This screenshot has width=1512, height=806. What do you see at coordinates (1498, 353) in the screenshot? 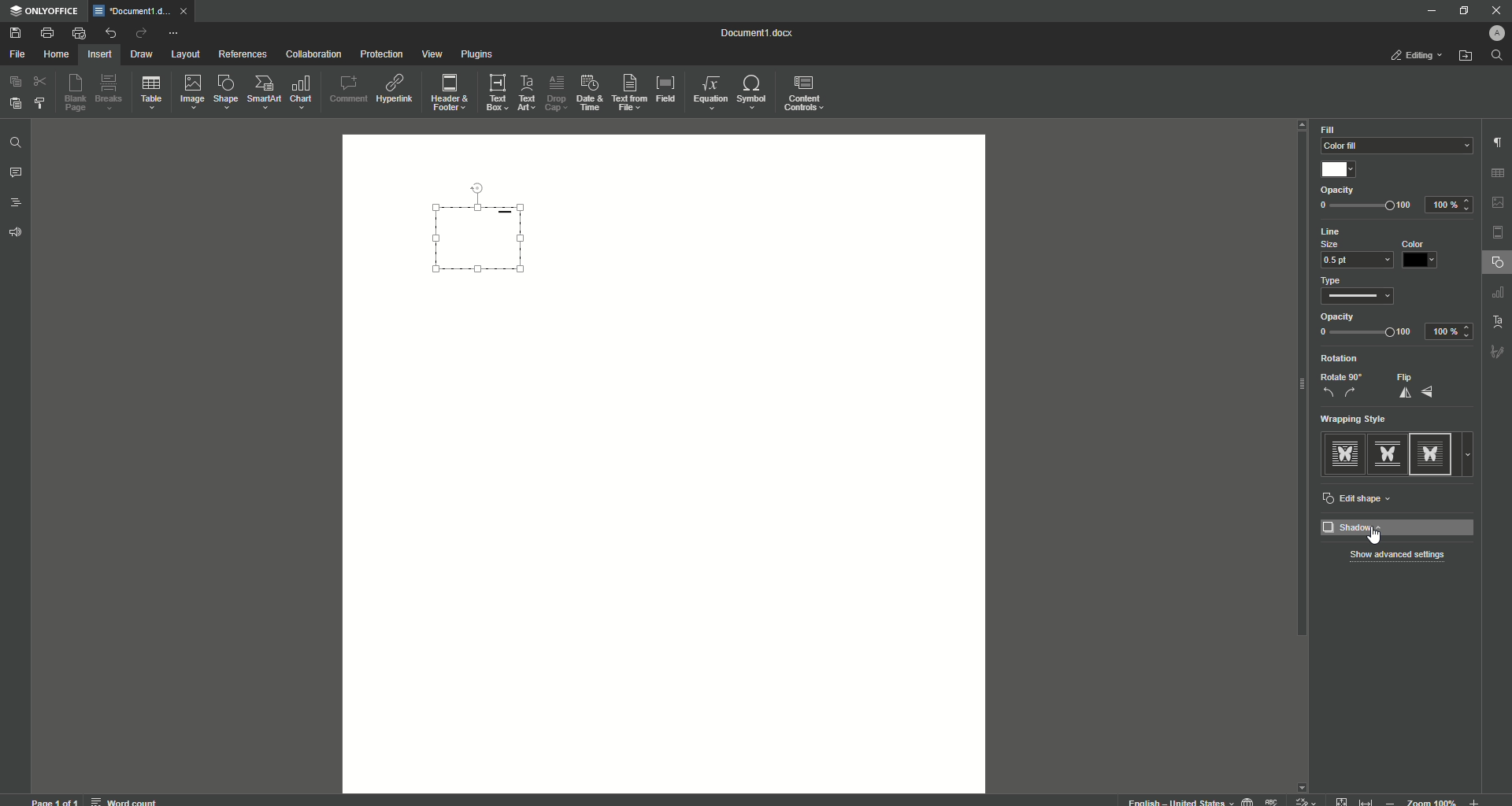
I see `signature` at bounding box center [1498, 353].